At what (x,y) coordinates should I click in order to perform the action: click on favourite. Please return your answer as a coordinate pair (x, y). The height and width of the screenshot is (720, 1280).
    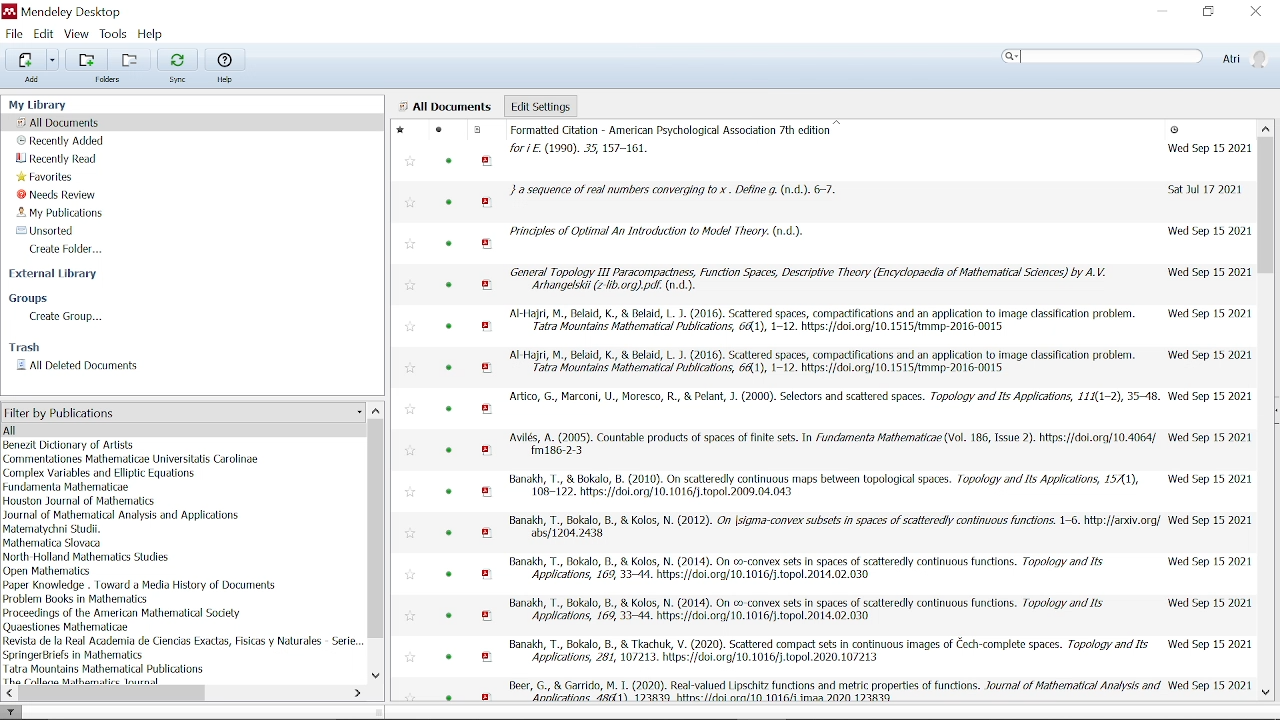
    Looking at the image, I should click on (408, 657).